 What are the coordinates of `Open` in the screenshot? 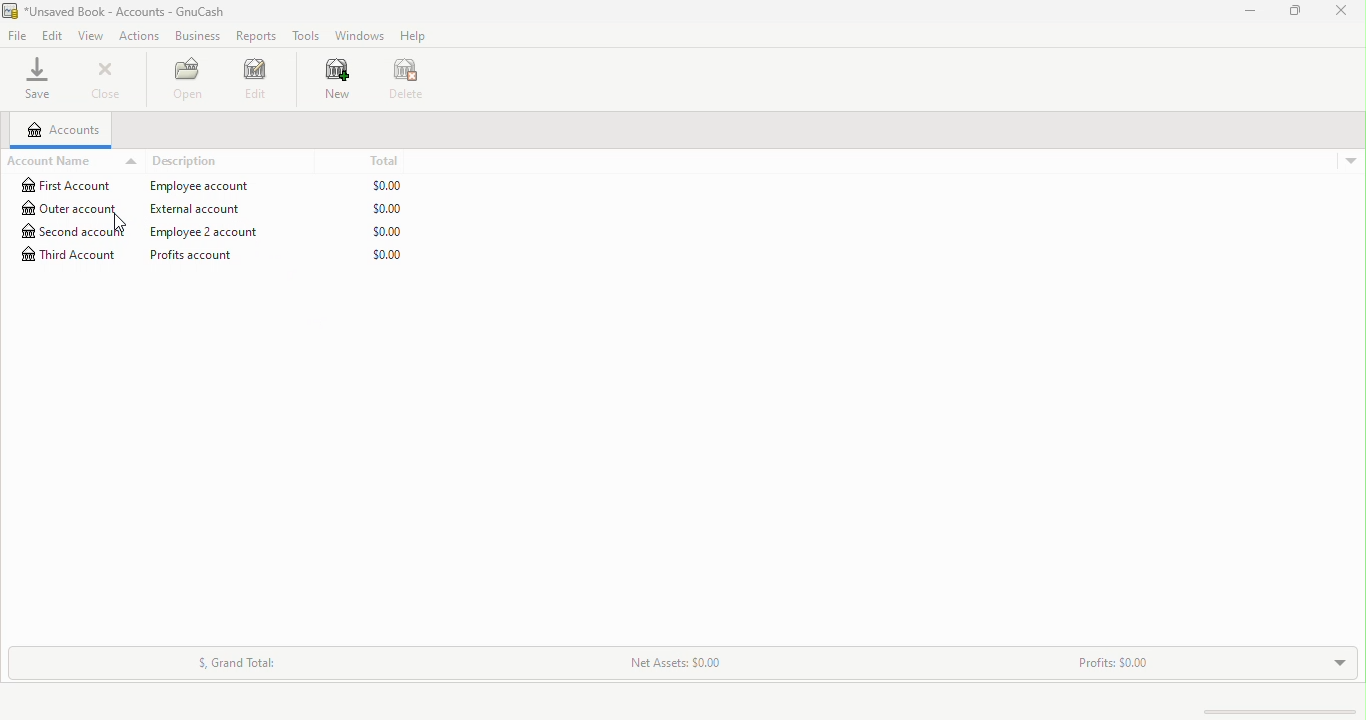 It's located at (195, 80).